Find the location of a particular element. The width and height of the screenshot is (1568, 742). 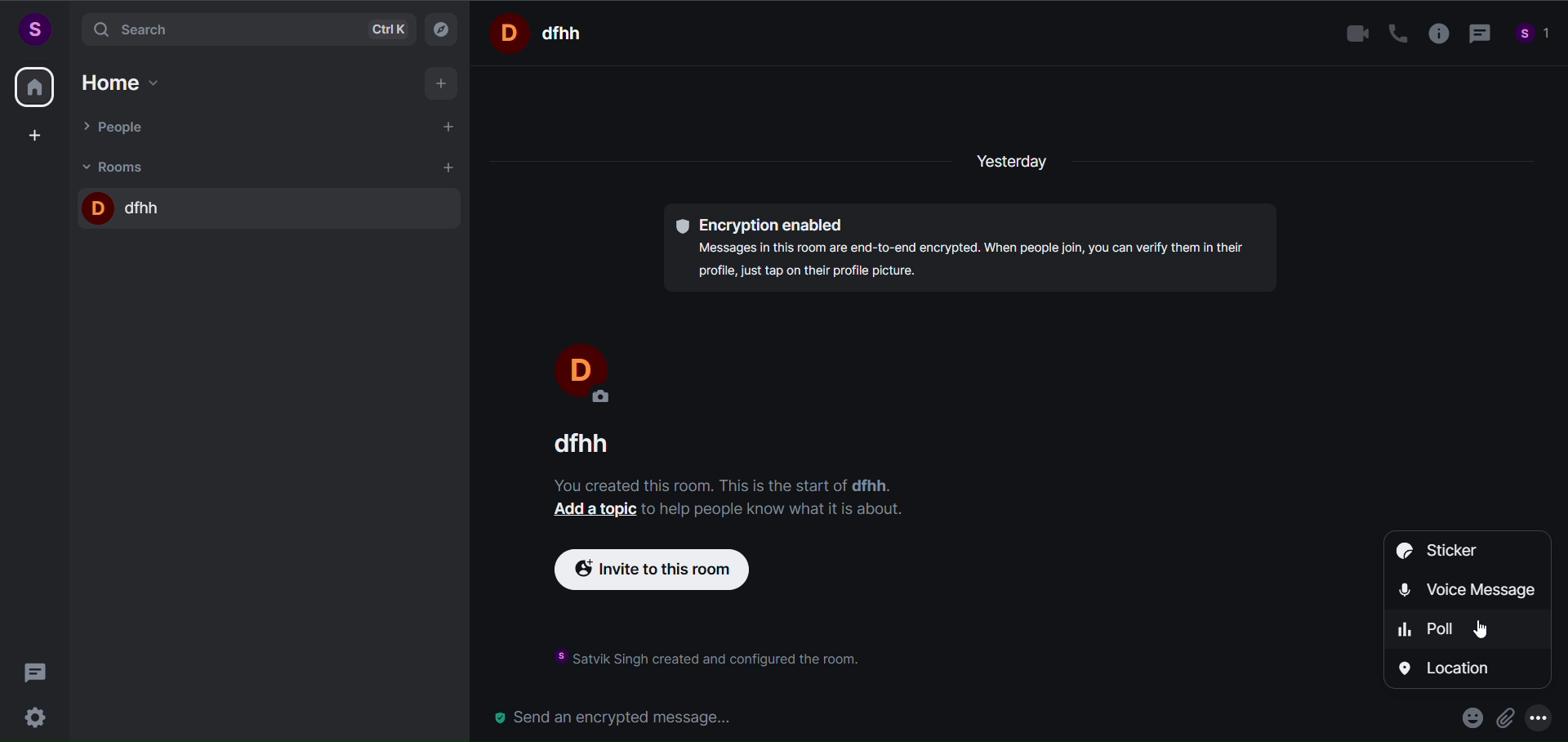

home option is located at coordinates (127, 80).